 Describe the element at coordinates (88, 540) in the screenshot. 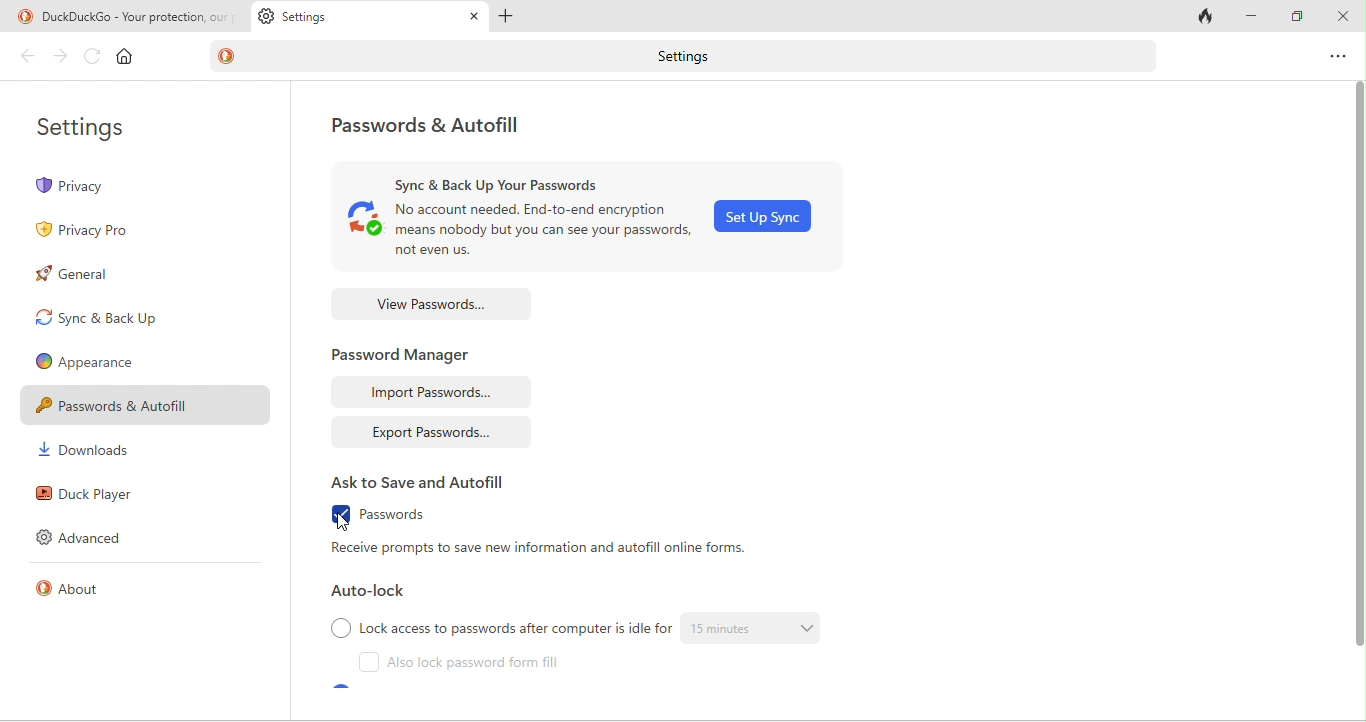

I see `advanced` at that location.